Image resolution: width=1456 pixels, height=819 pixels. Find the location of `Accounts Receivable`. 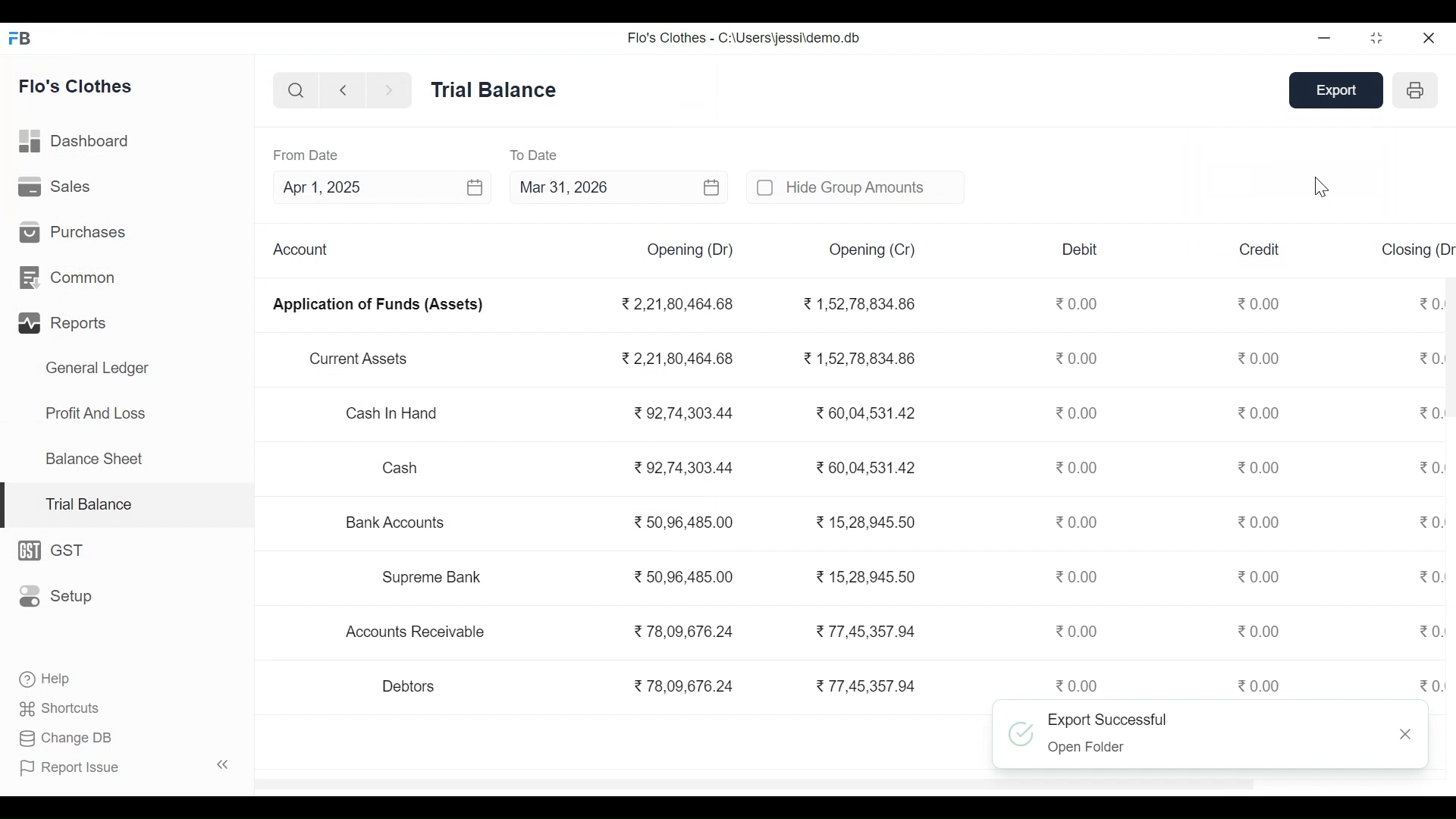

Accounts Receivable is located at coordinates (419, 632).